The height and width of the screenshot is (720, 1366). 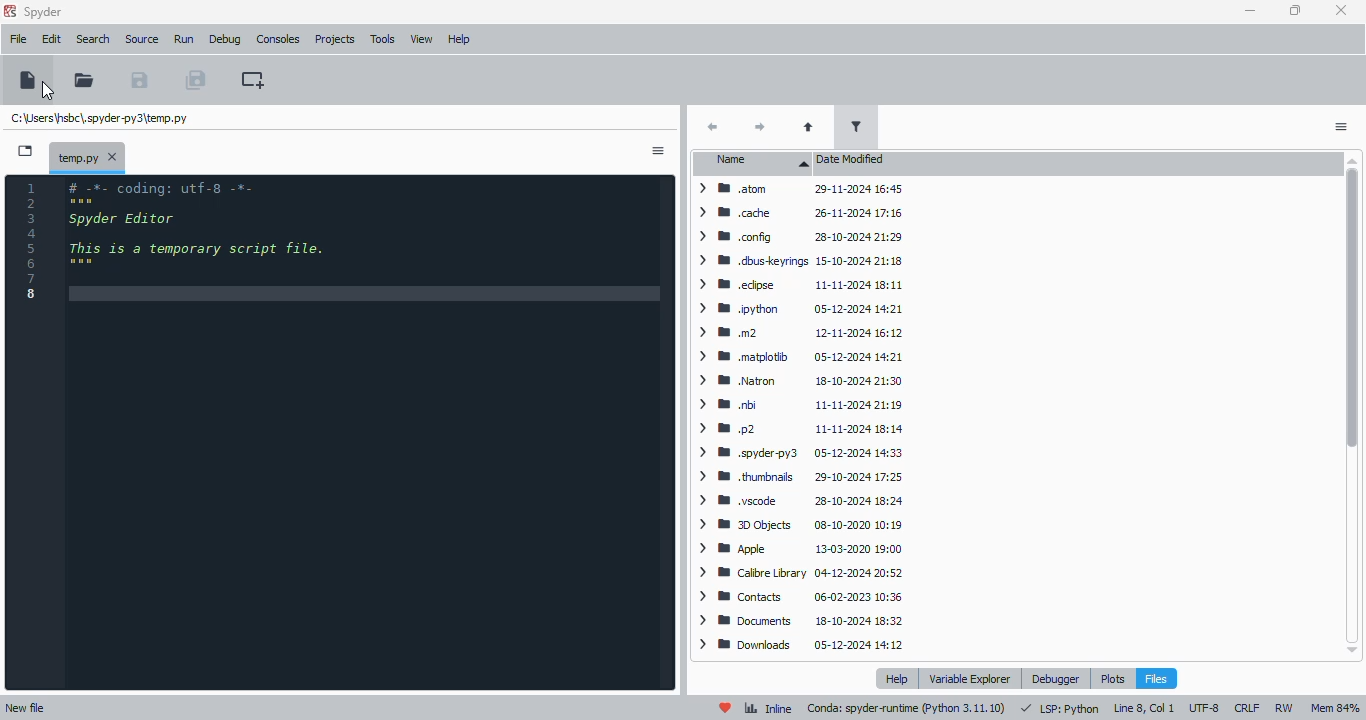 What do you see at coordinates (139, 79) in the screenshot?
I see `save file` at bounding box center [139, 79].